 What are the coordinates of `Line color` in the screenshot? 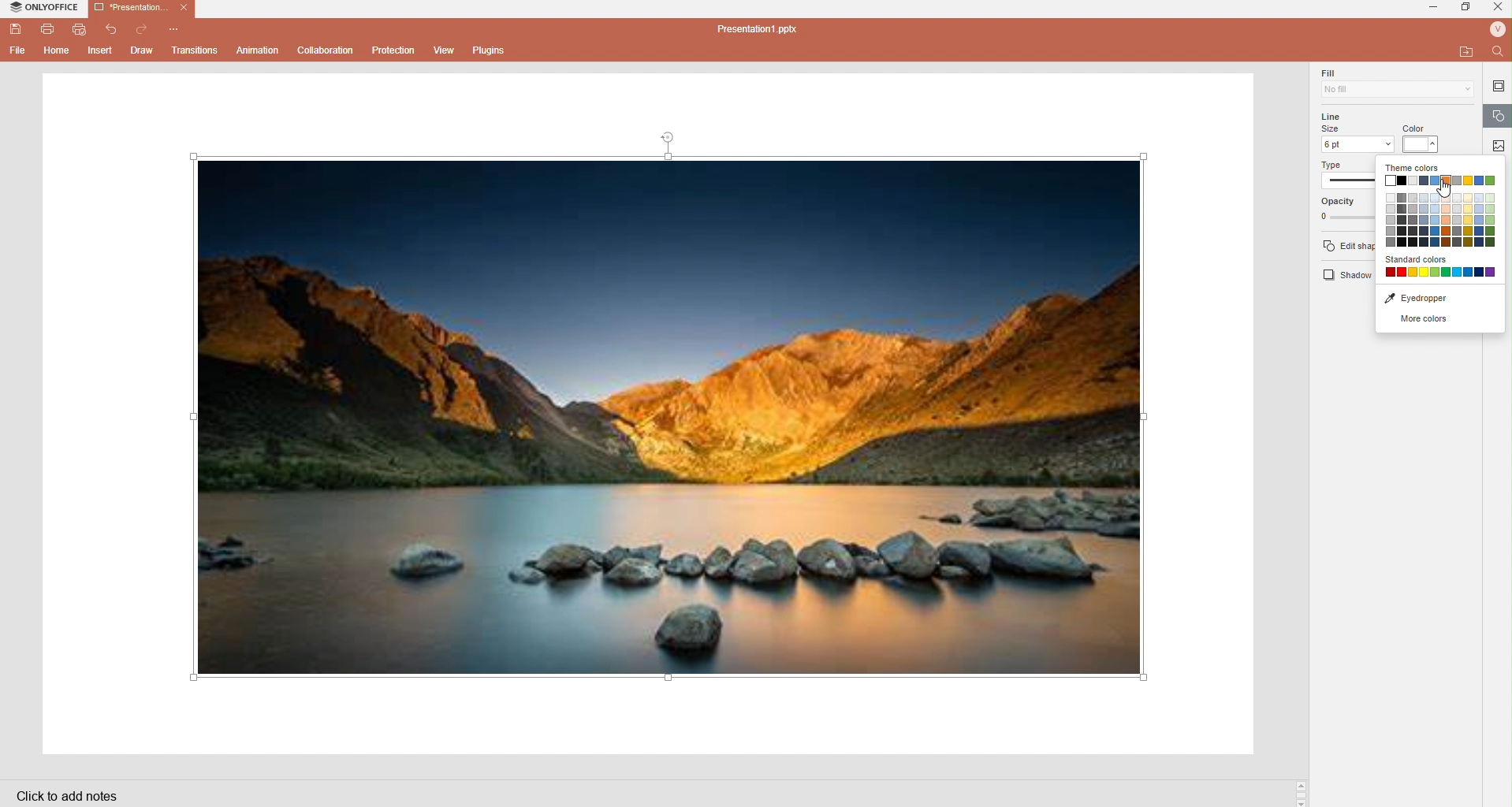 It's located at (1430, 132).